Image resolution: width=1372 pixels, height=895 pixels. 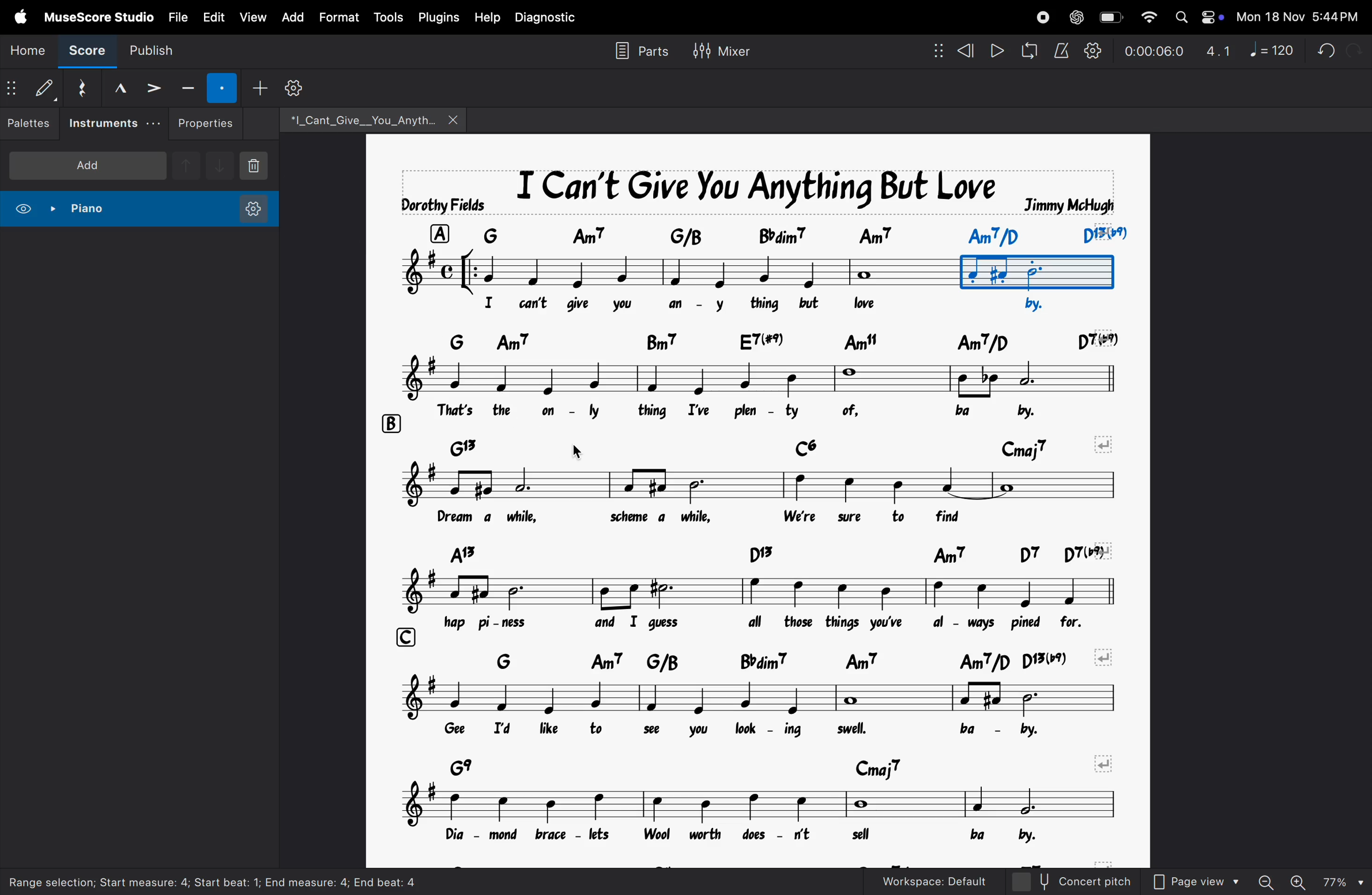 What do you see at coordinates (1071, 881) in the screenshot?
I see `concert pitch` at bounding box center [1071, 881].